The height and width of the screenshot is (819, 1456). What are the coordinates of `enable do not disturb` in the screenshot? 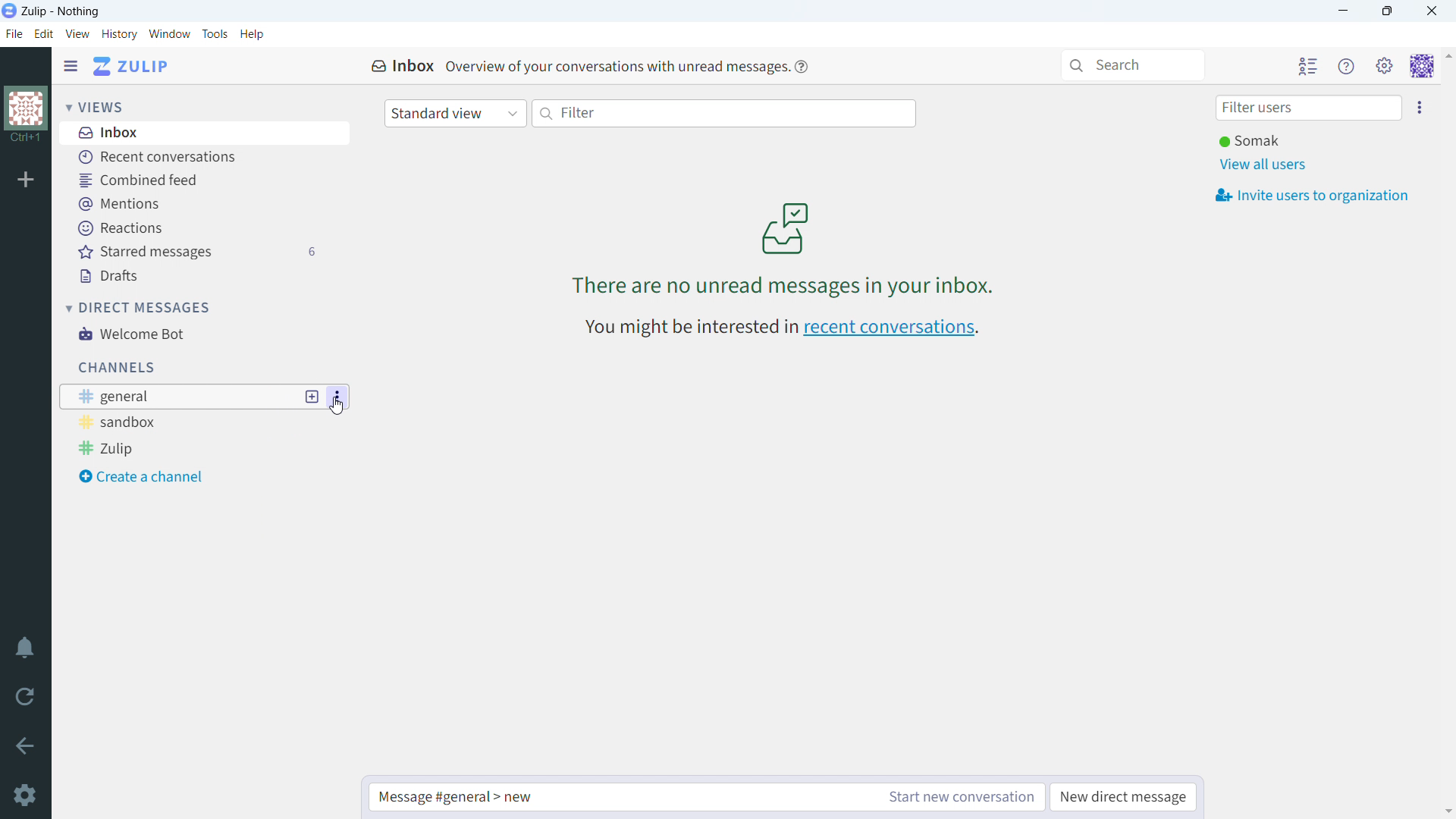 It's located at (25, 648).